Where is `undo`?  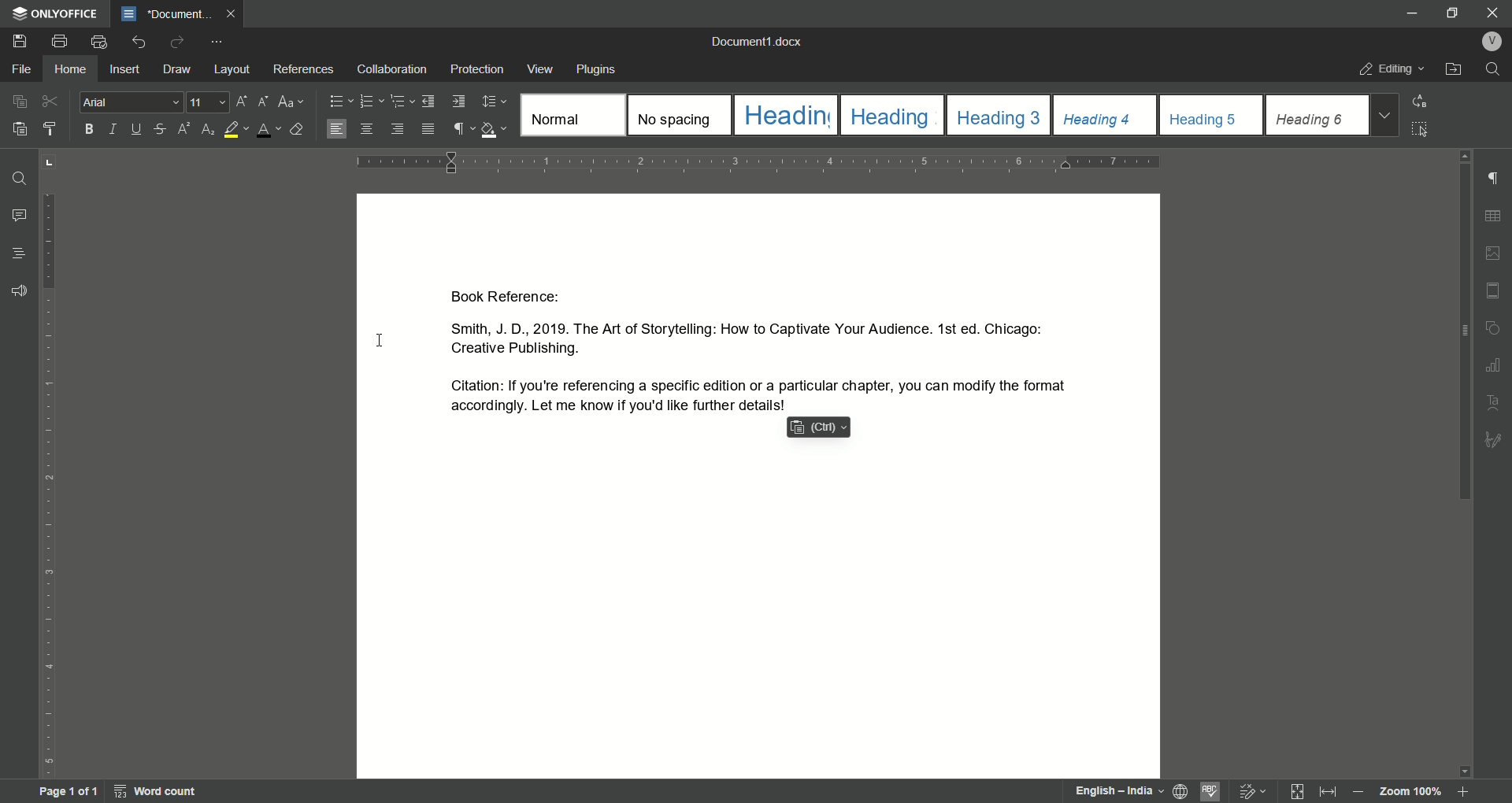 undo is located at coordinates (138, 43).